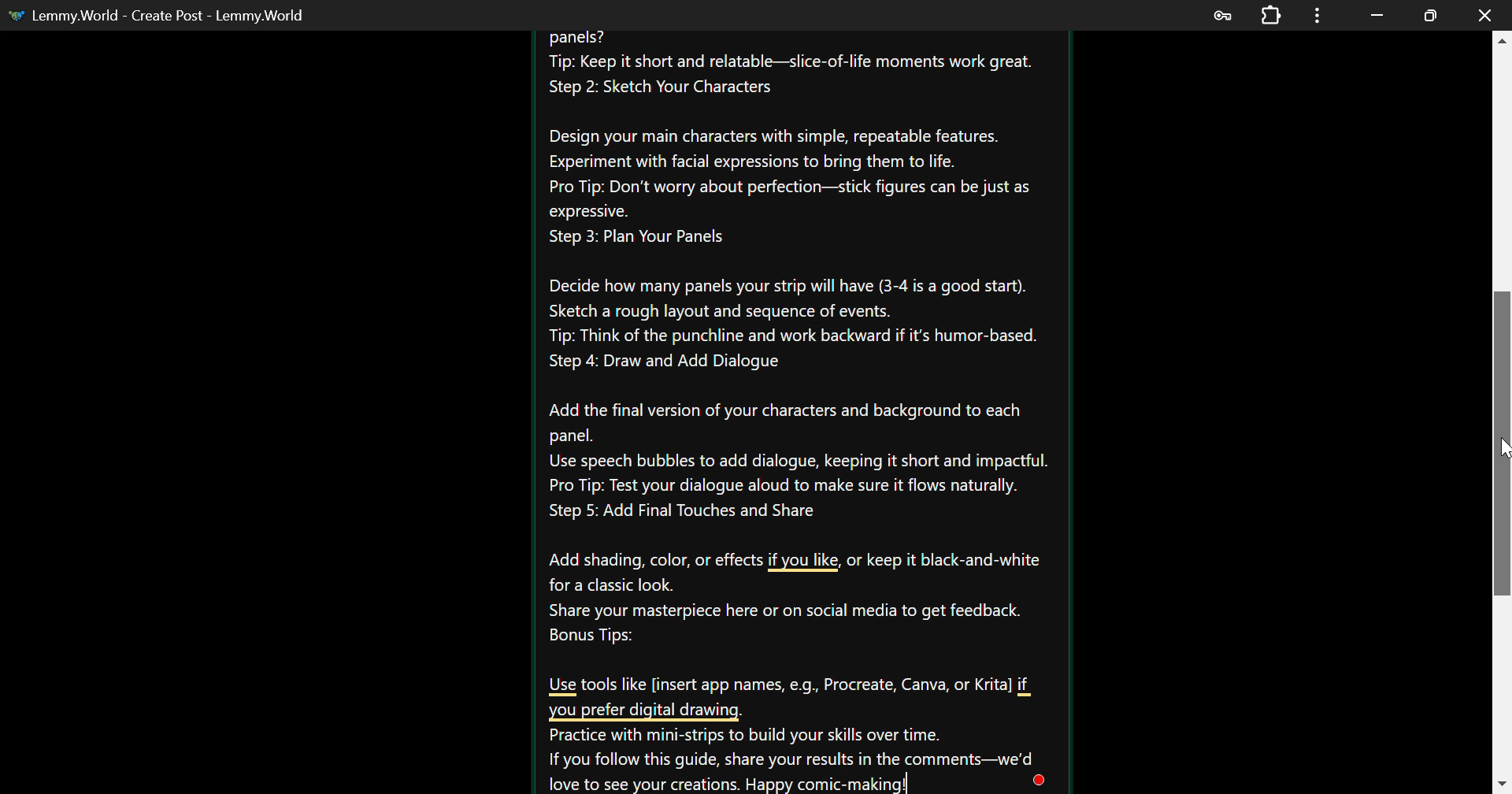 Image resolution: width=1512 pixels, height=794 pixels. Describe the element at coordinates (1274, 14) in the screenshot. I see `Extensions` at that location.